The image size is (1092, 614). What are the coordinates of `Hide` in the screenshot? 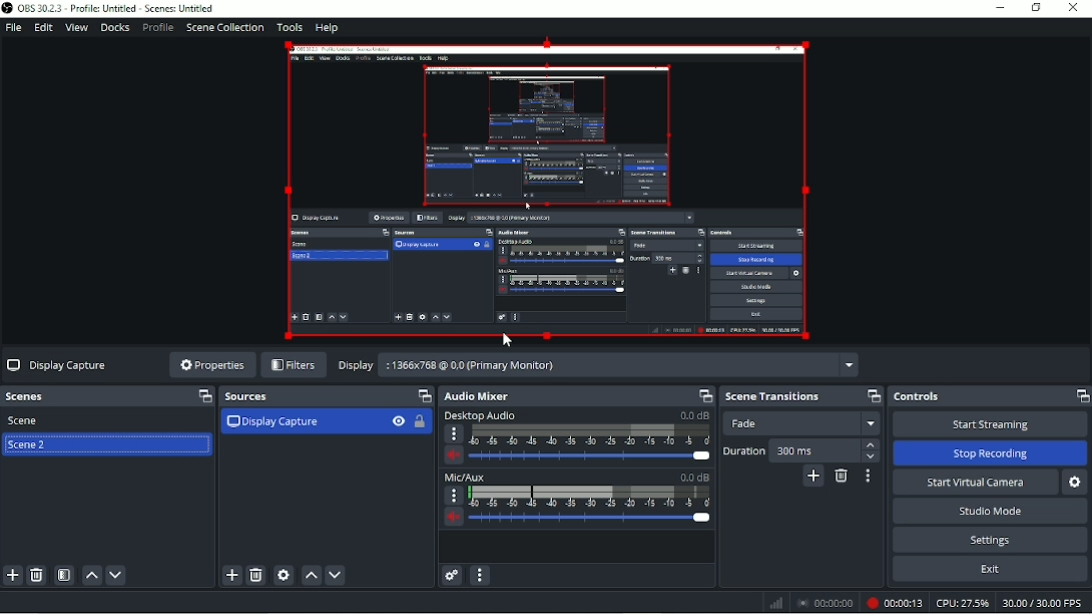 It's located at (398, 423).